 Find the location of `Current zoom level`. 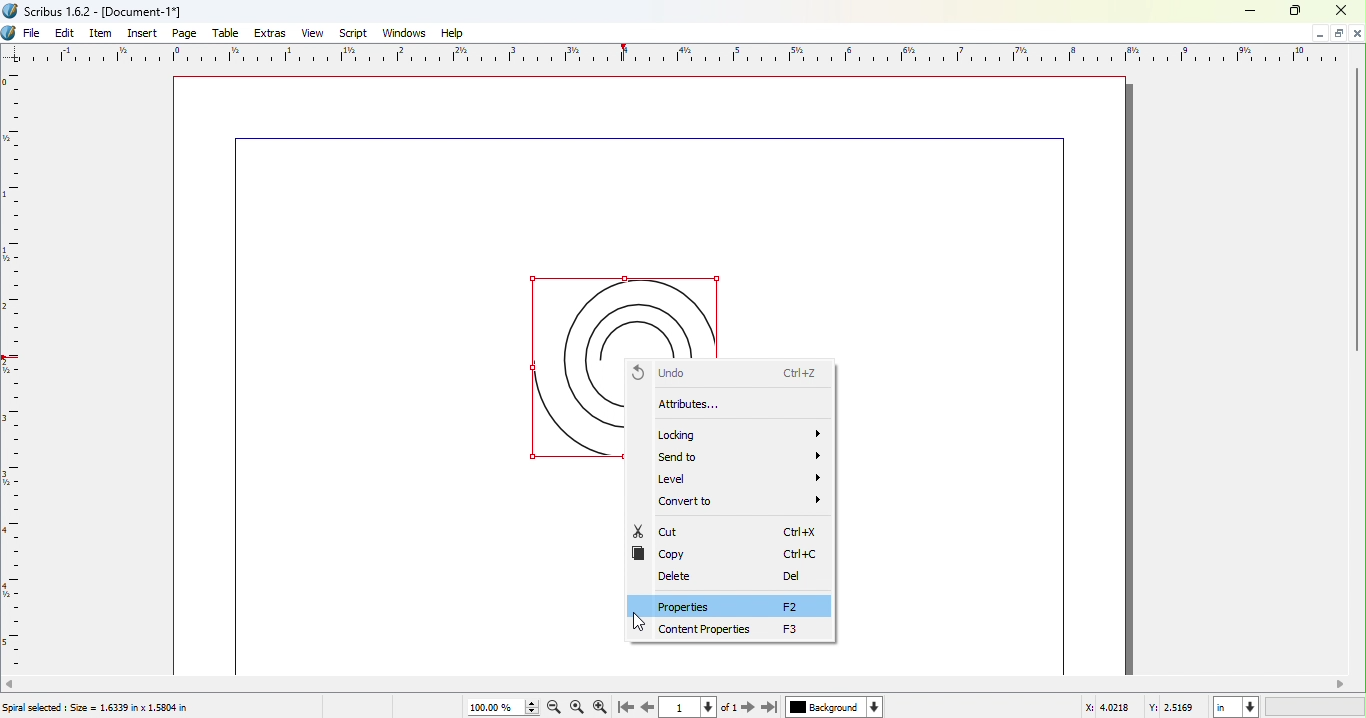

Current zoom level is located at coordinates (492, 708).